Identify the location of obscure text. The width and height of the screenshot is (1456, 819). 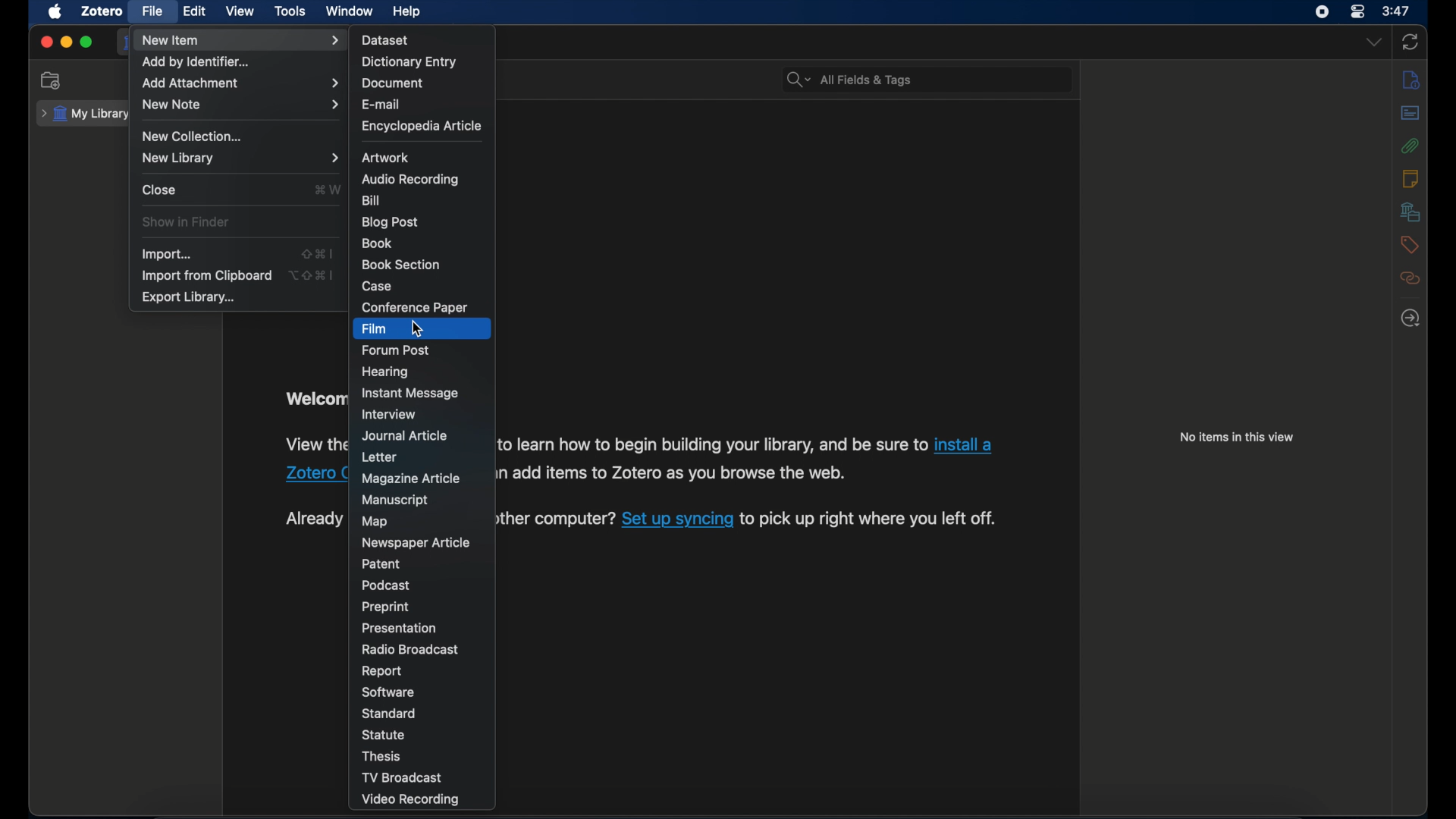
(314, 399).